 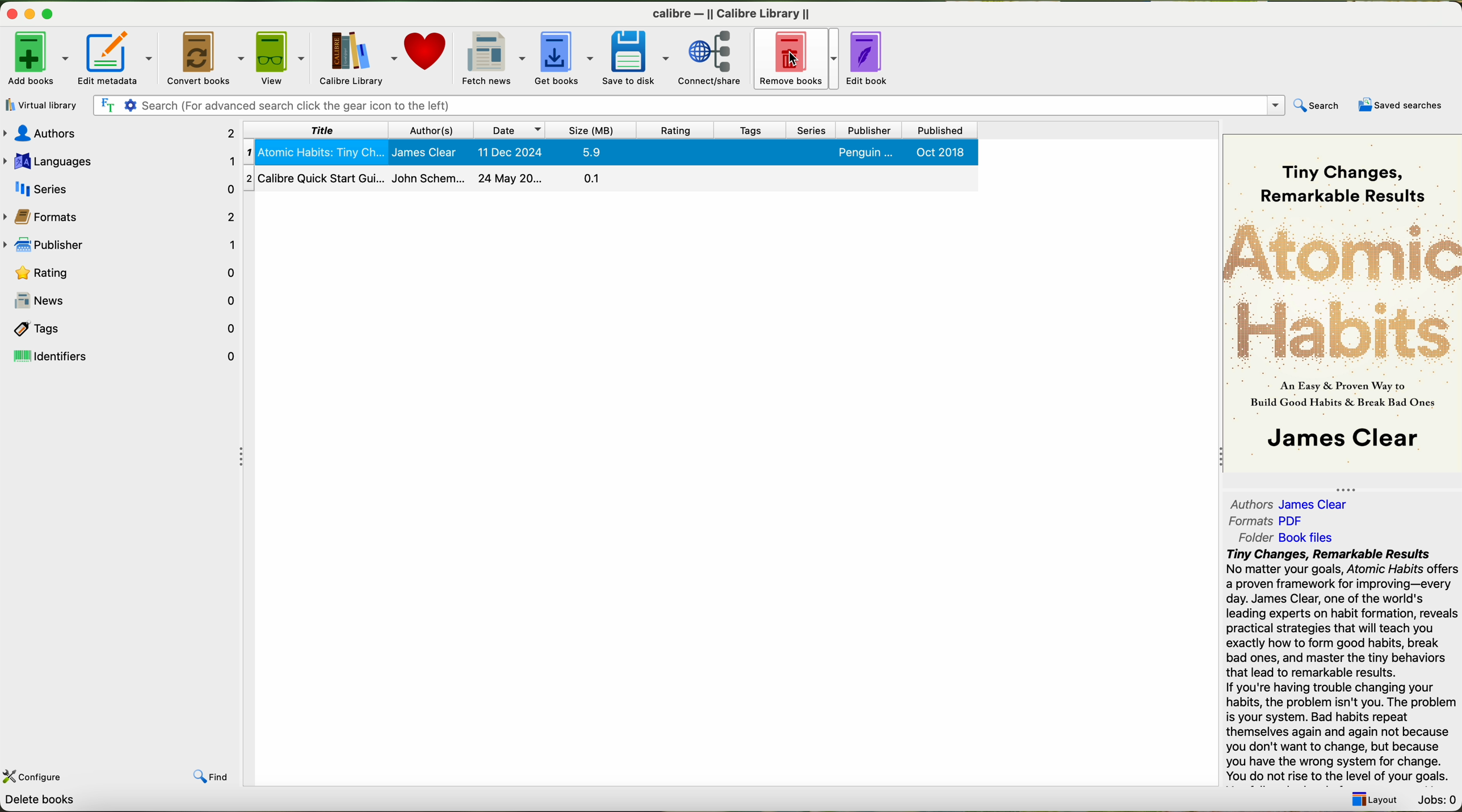 What do you see at coordinates (204, 57) in the screenshot?
I see `convert books` at bounding box center [204, 57].